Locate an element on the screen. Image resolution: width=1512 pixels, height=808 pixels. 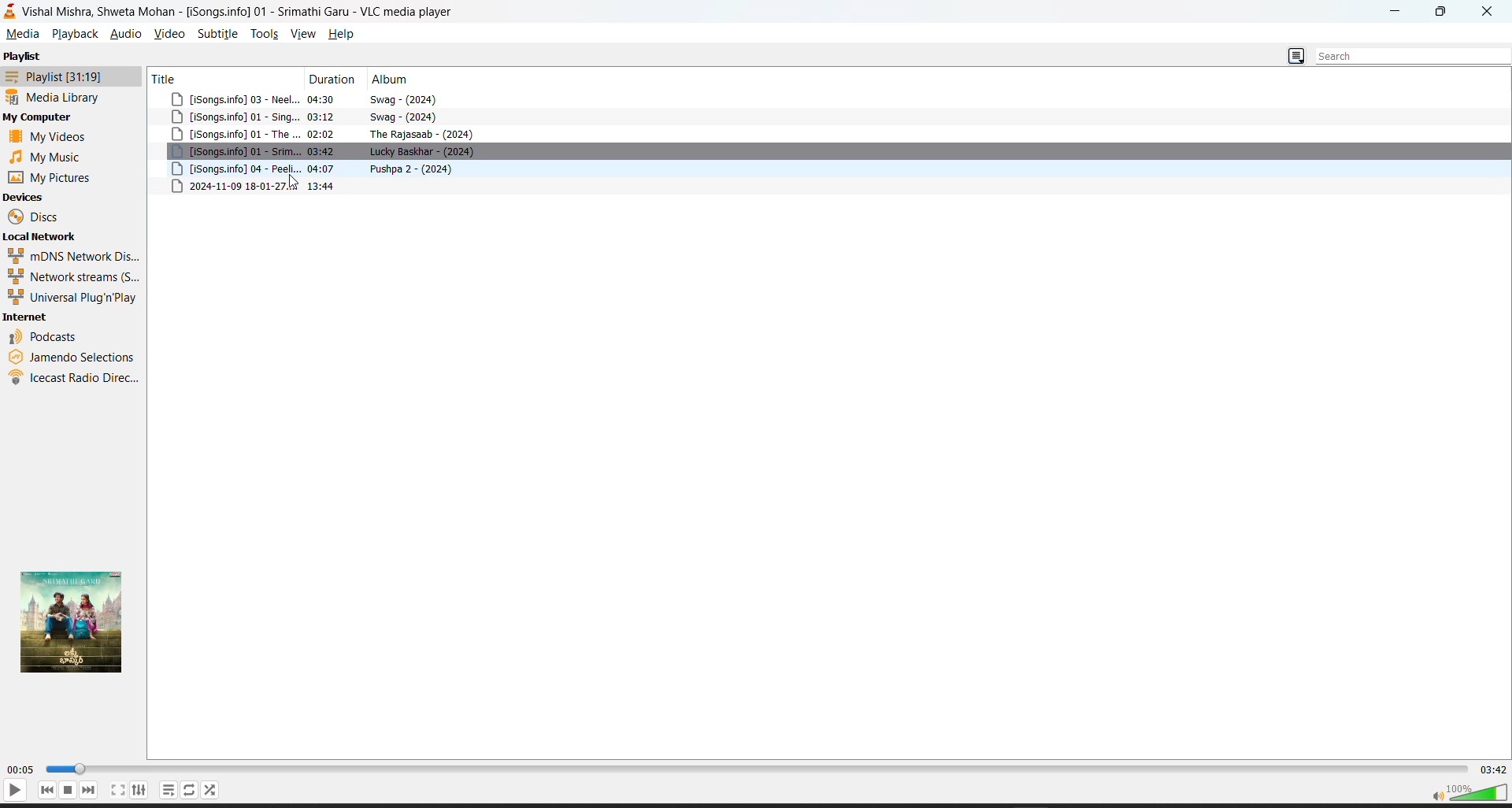
playback is located at coordinates (74, 34).